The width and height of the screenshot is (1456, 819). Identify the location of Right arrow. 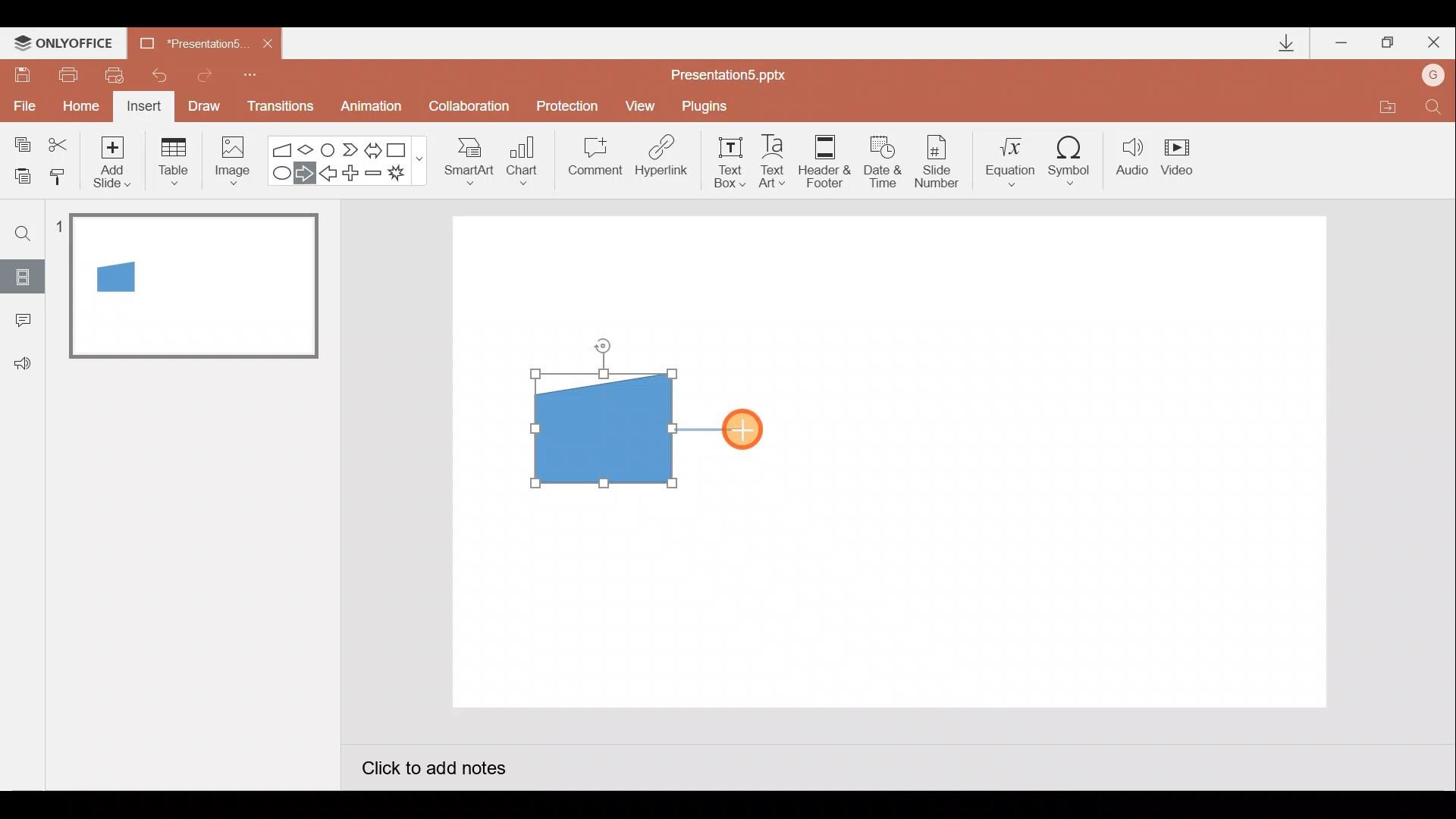
(306, 172).